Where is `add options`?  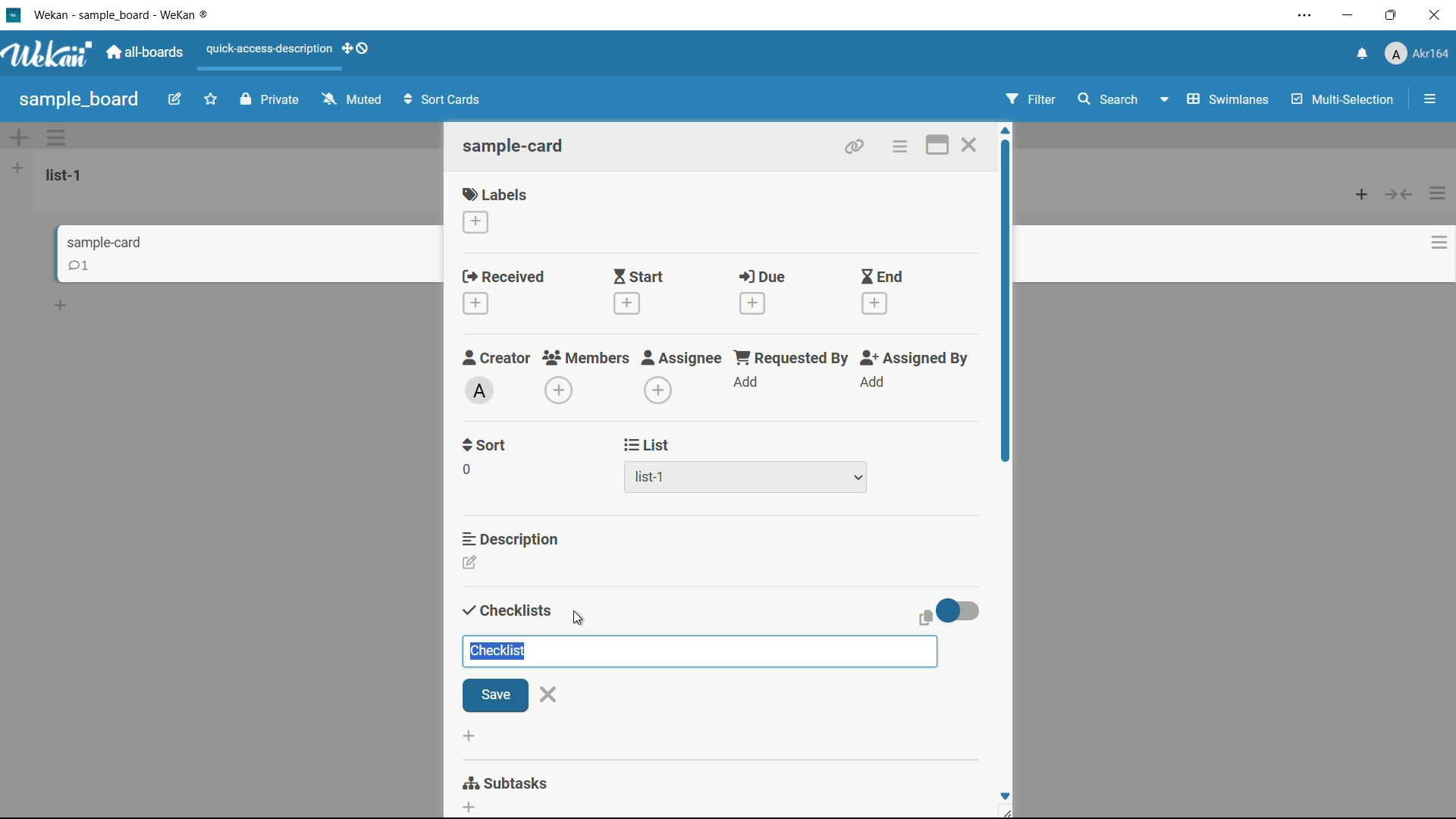 add options is located at coordinates (16, 136).